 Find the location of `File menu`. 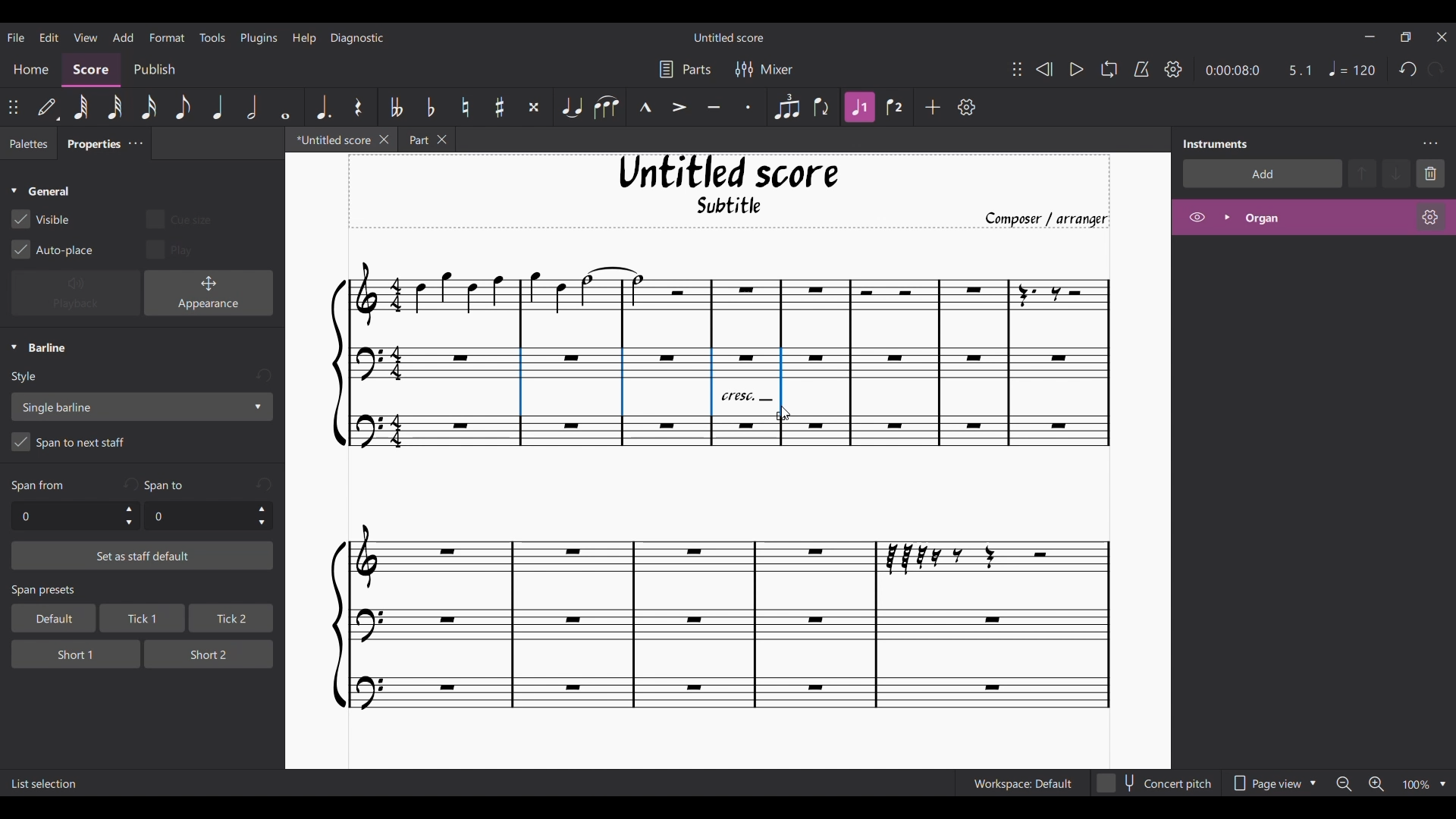

File menu is located at coordinates (16, 36).